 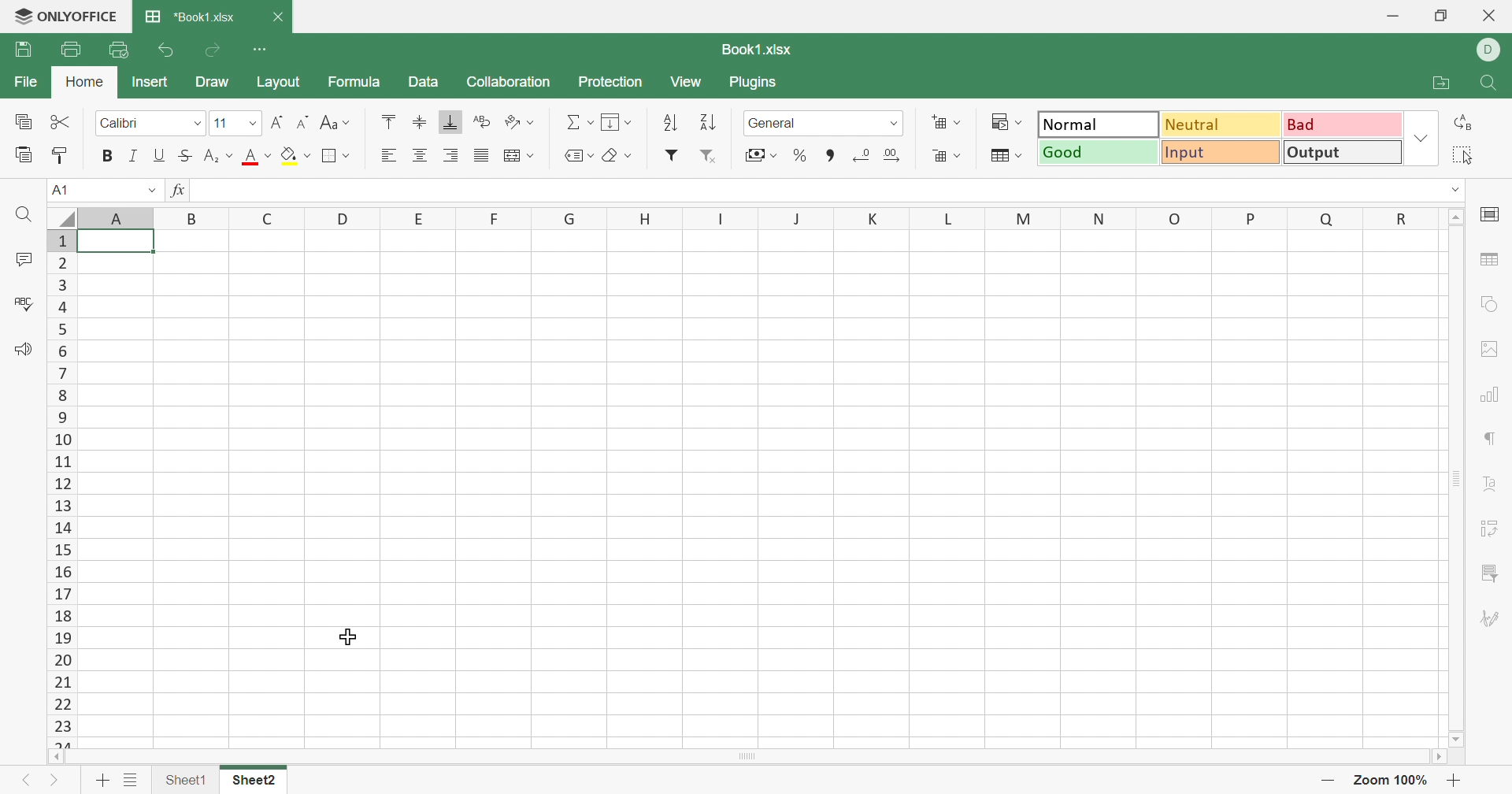 What do you see at coordinates (537, 120) in the screenshot?
I see `Orientation drop down` at bounding box center [537, 120].